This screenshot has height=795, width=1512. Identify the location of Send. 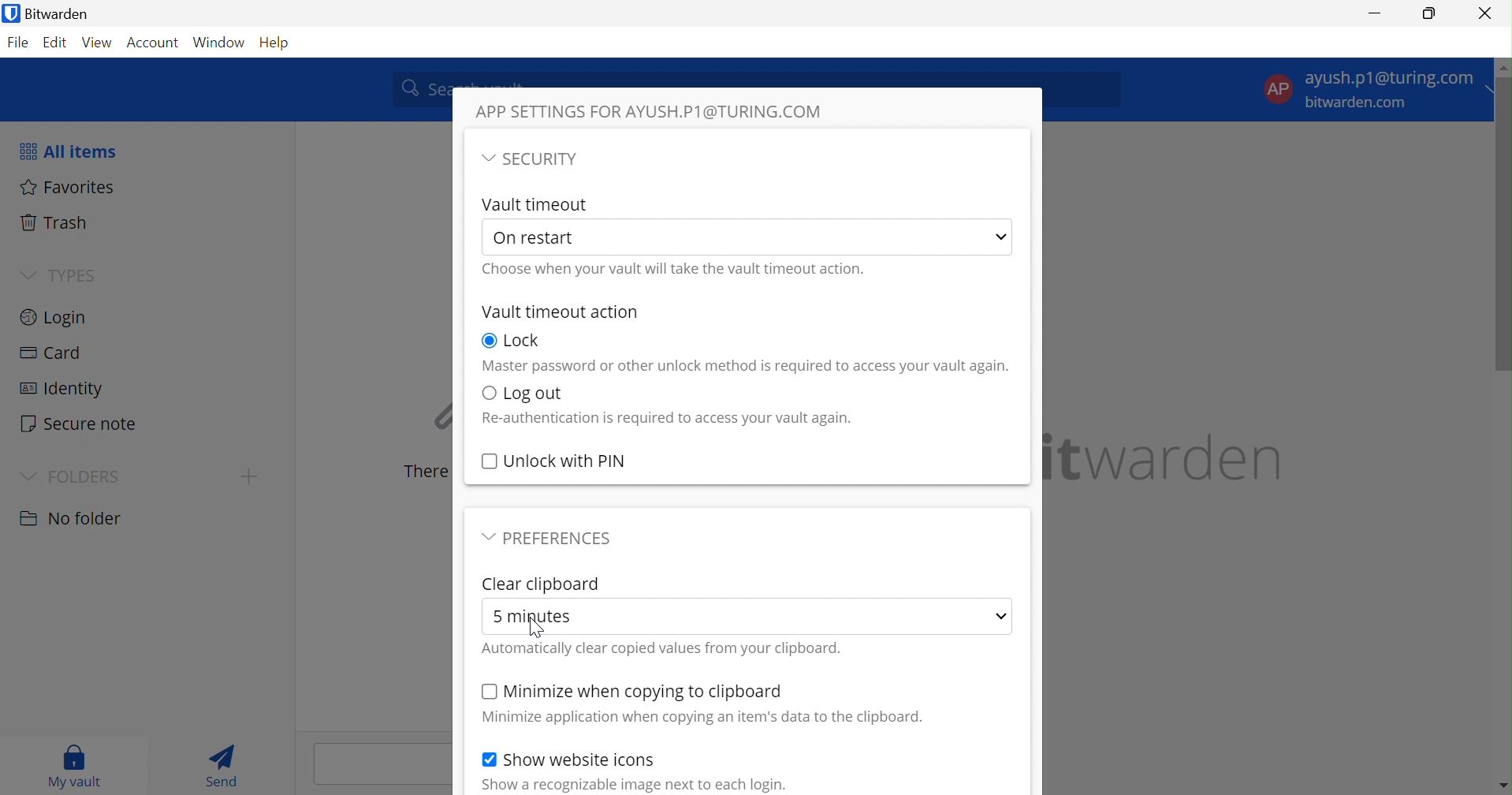
(224, 764).